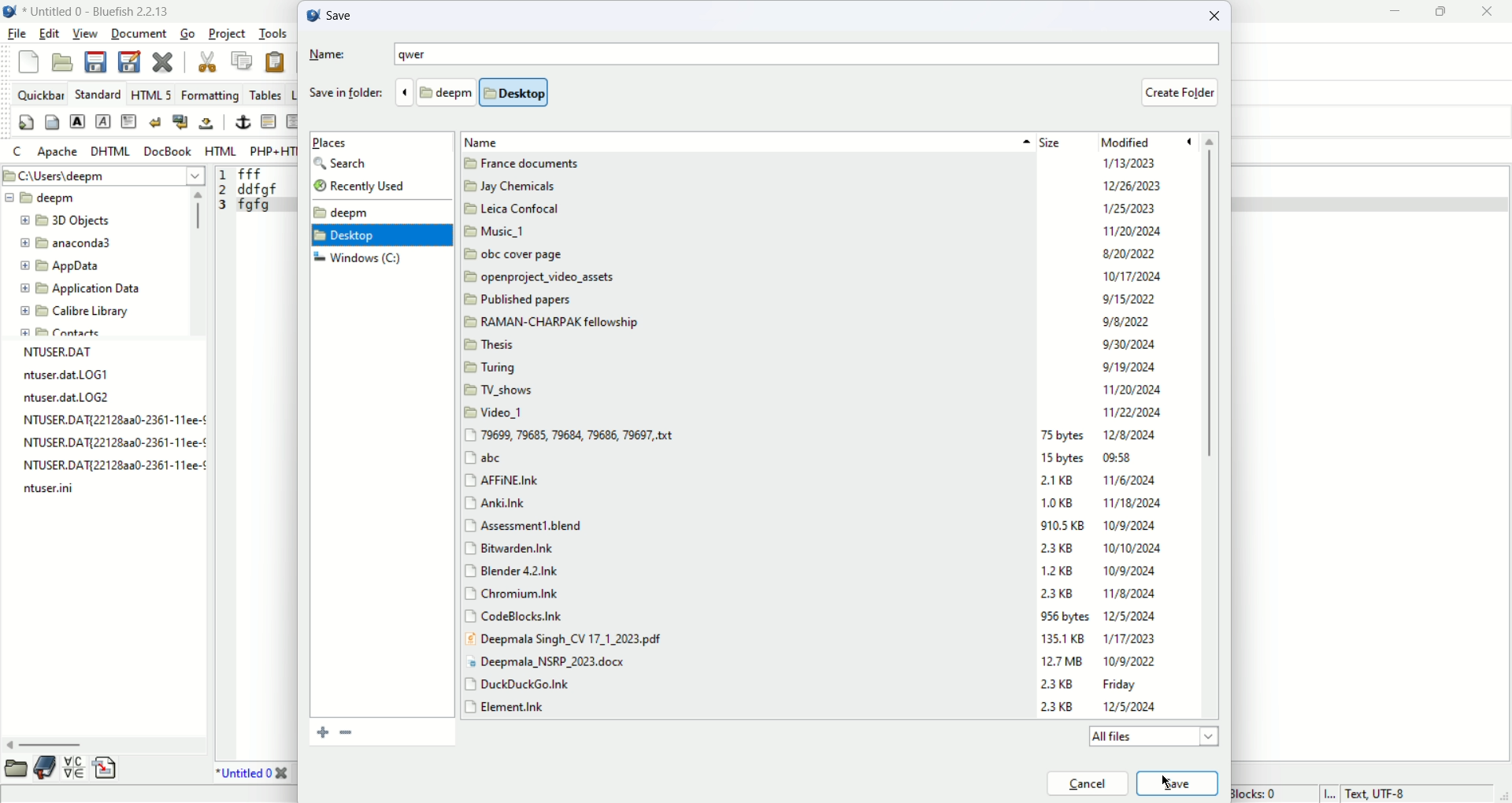 The image size is (1512, 803). Describe the element at coordinates (1392, 12) in the screenshot. I see `minimize` at that location.